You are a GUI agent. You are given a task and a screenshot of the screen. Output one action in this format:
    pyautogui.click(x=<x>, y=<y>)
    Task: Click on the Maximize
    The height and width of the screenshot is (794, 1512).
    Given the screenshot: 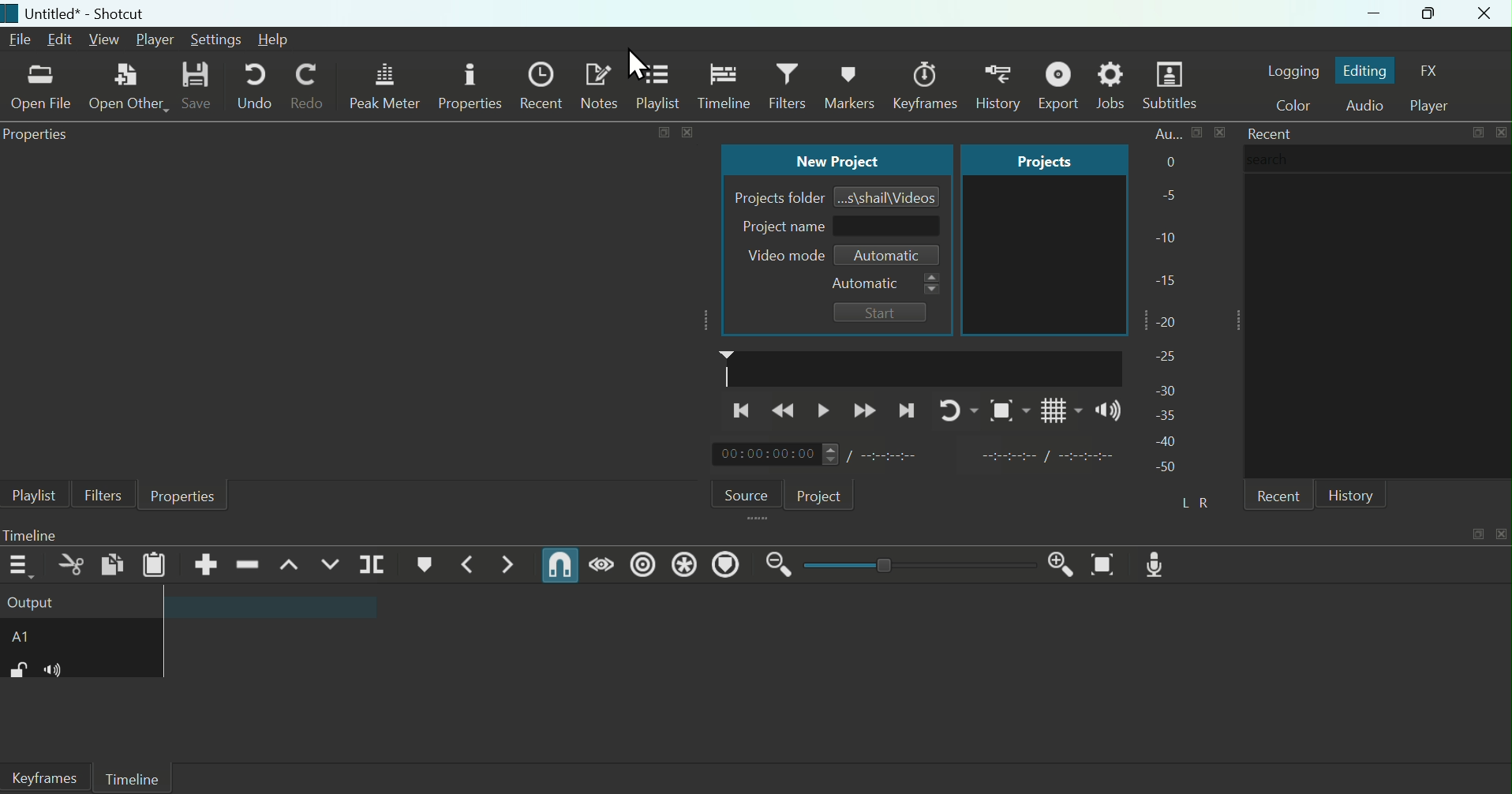 What is the action you would take?
    pyautogui.click(x=1426, y=13)
    